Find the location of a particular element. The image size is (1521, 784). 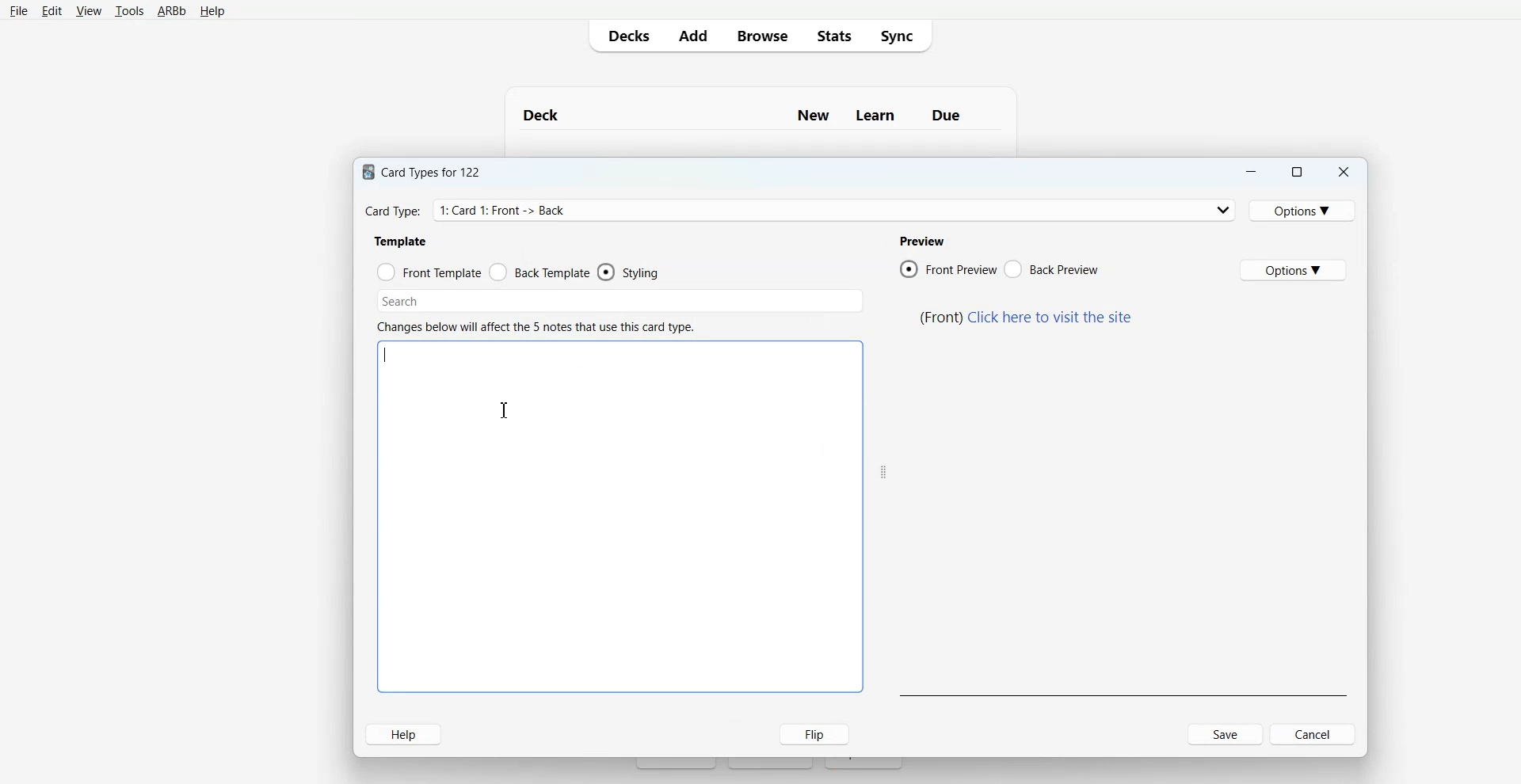

Maximize is located at coordinates (1297, 170).